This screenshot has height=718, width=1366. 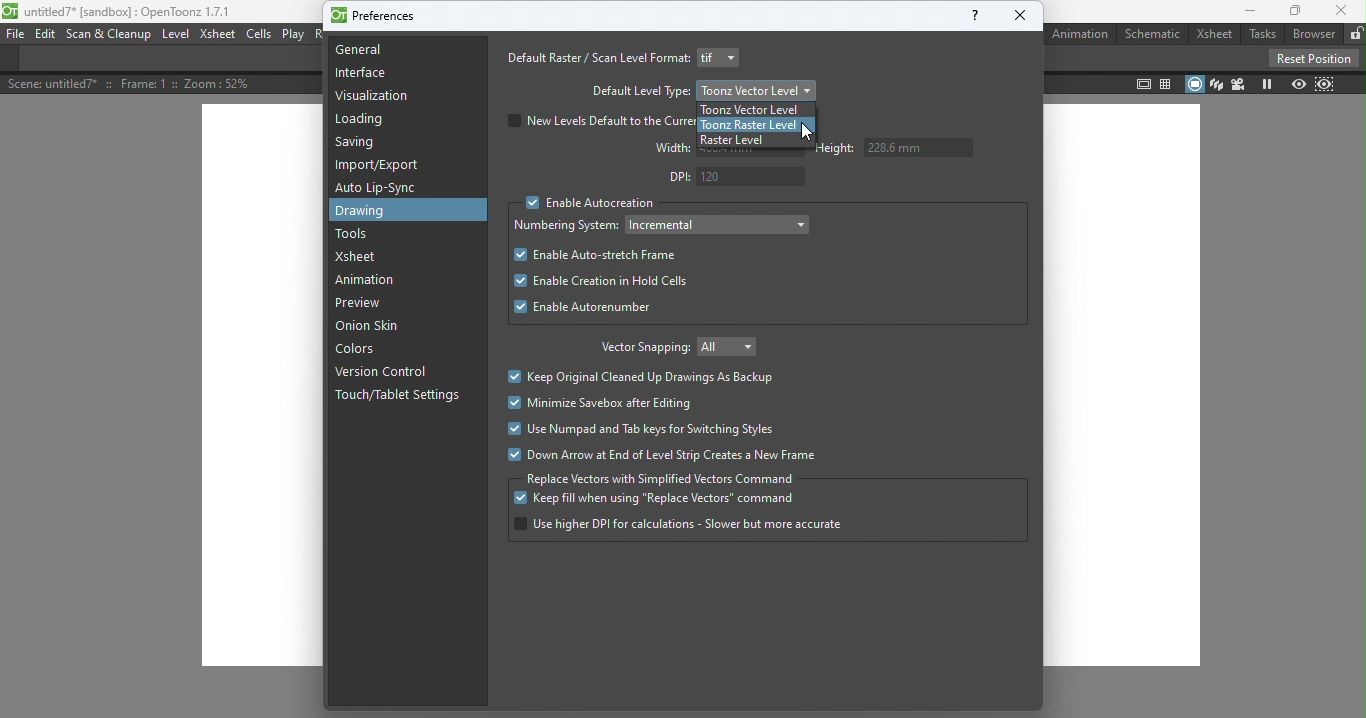 I want to click on Browser, so click(x=1312, y=34).